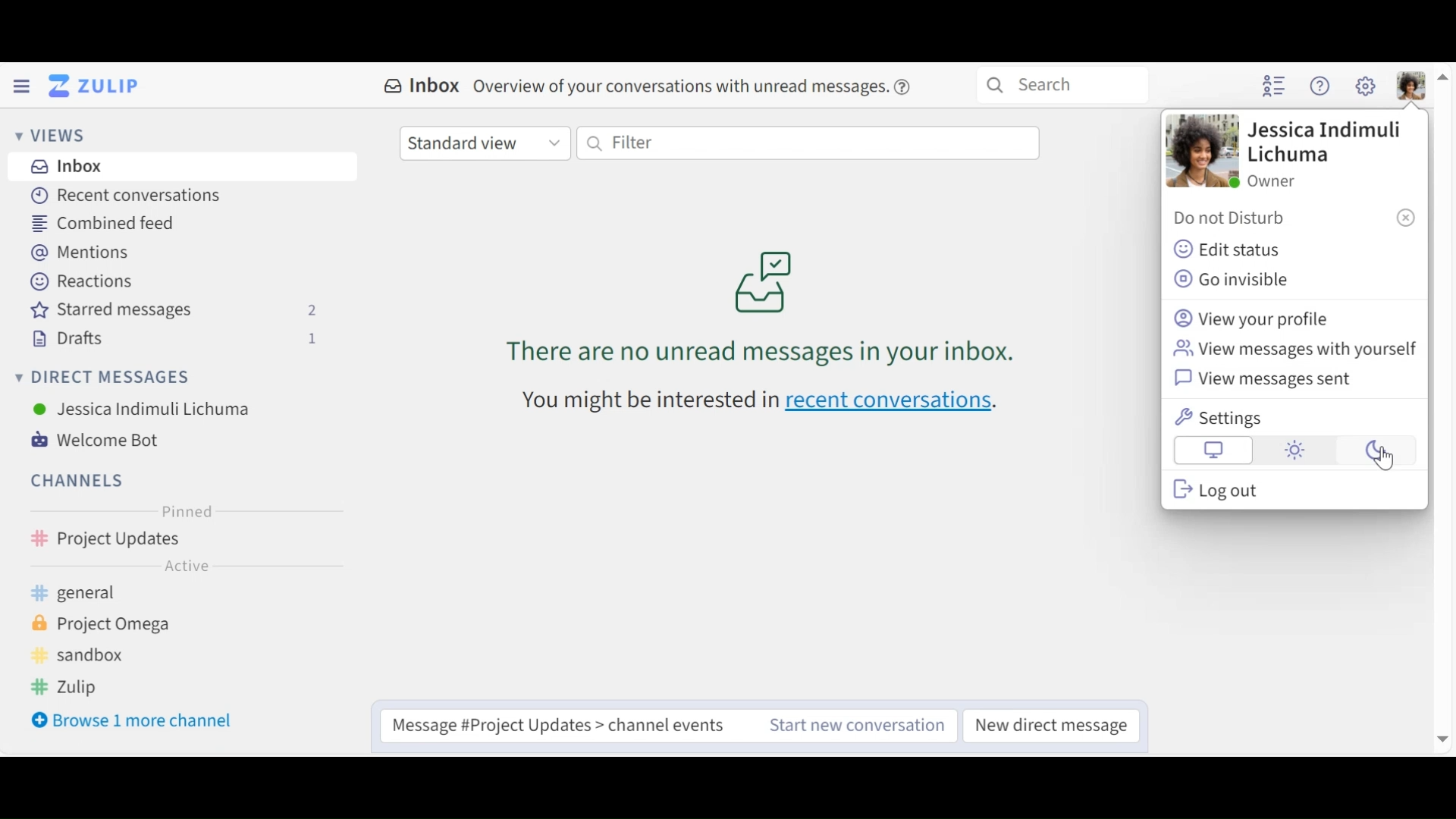 Image resolution: width=1456 pixels, height=819 pixels. Describe the element at coordinates (1413, 86) in the screenshot. I see `Personal menu` at that location.